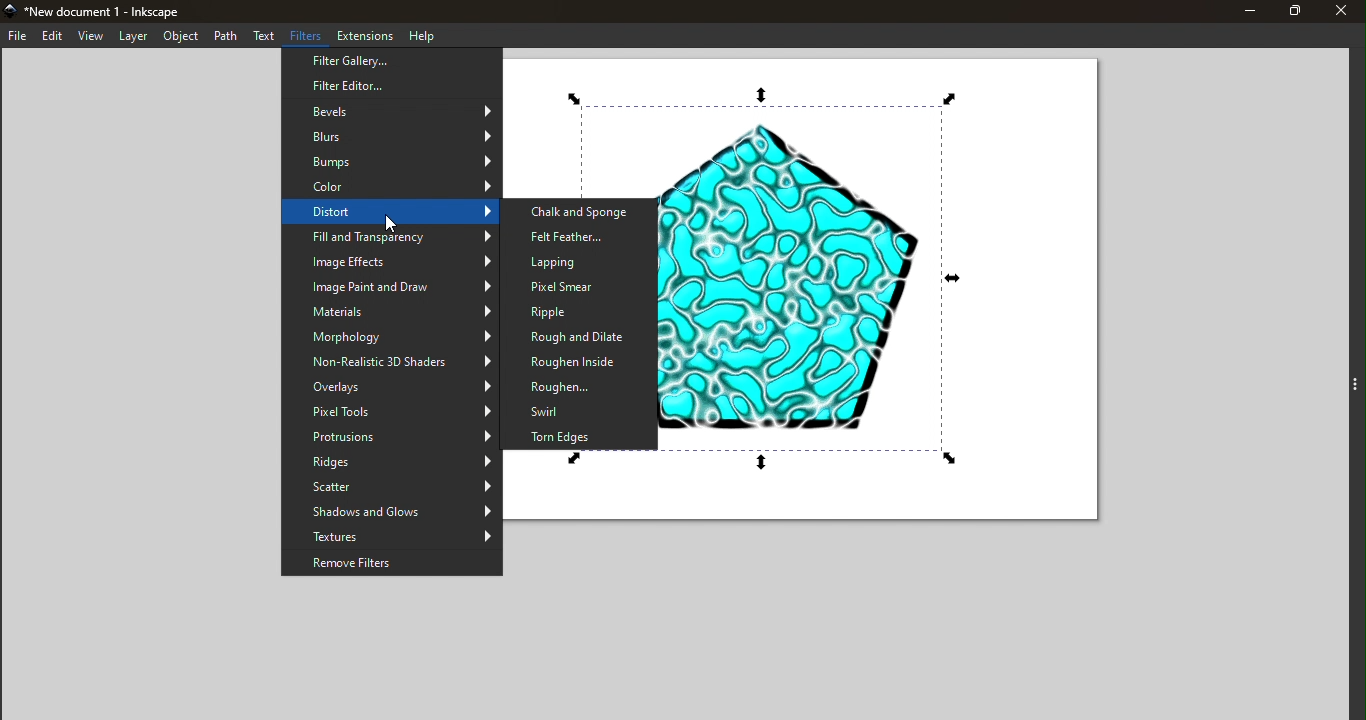  Describe the element at coordinates (392, 286) in the screenshot. I see `Image Paint and Draw` at that location.